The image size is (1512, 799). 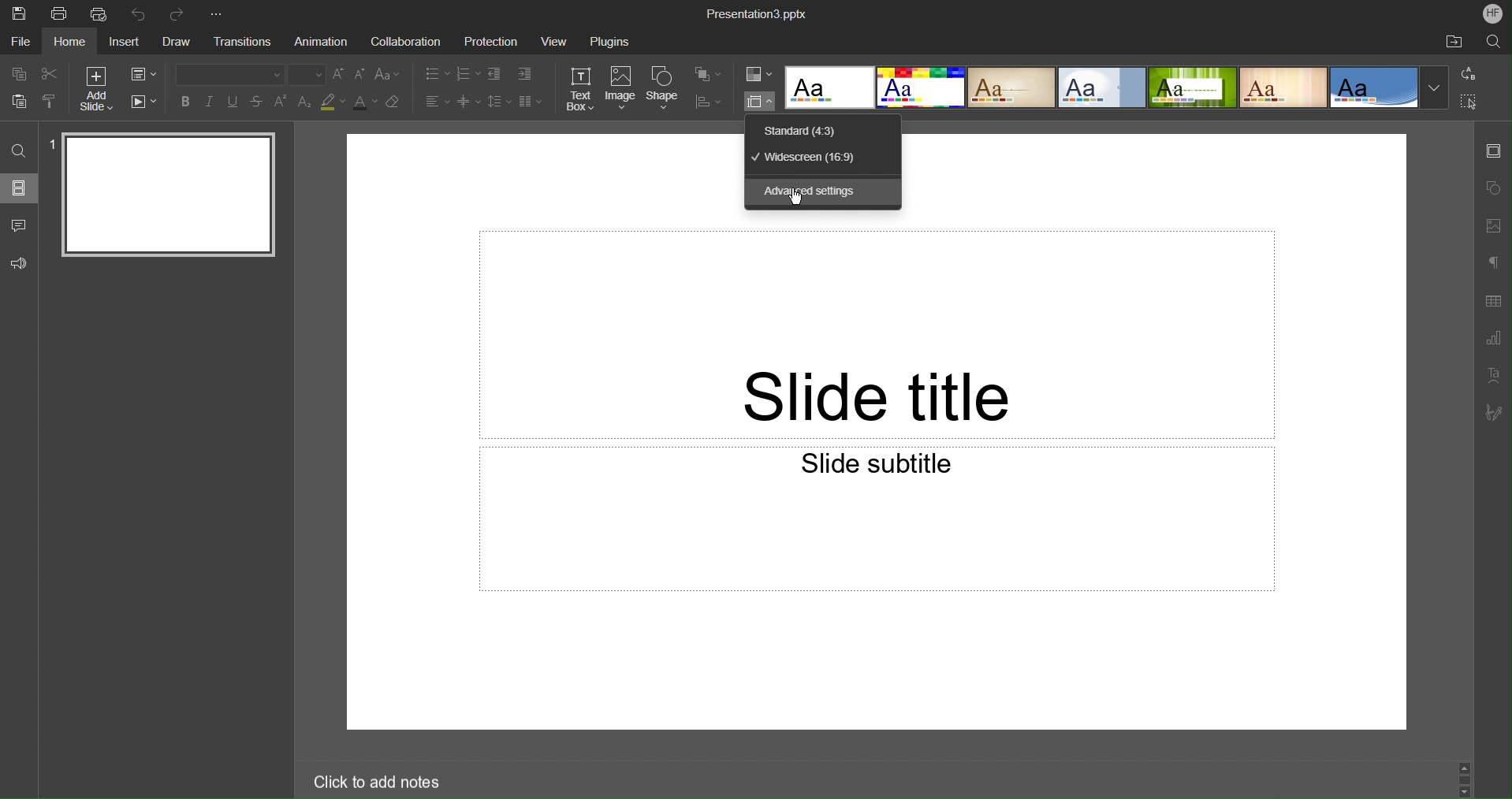 I want to click on Text Box, so click(x=580, y=89).